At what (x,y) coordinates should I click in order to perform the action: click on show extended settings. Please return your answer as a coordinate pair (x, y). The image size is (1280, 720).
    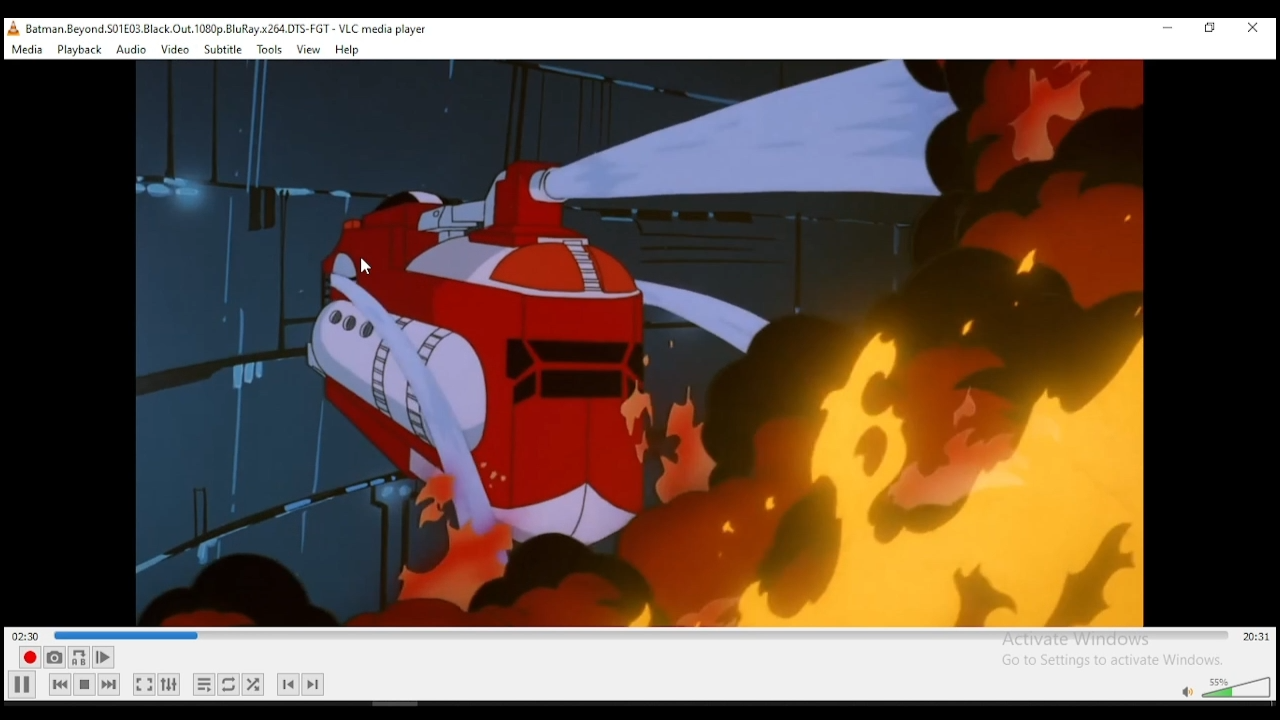
    Looking at the image, I should click on (253, 683).